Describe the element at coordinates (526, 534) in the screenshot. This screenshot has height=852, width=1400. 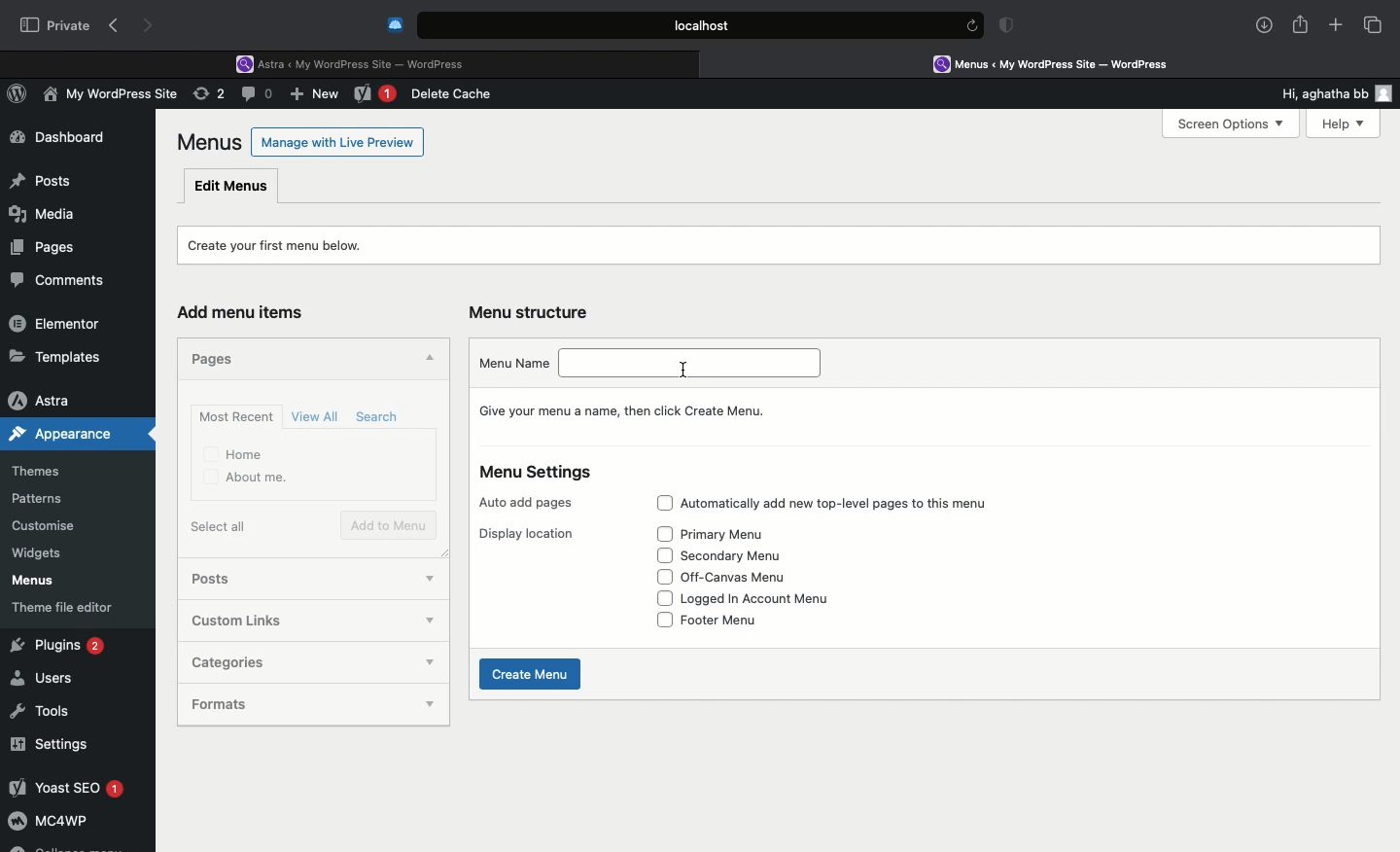
I see `Display location` at that location.